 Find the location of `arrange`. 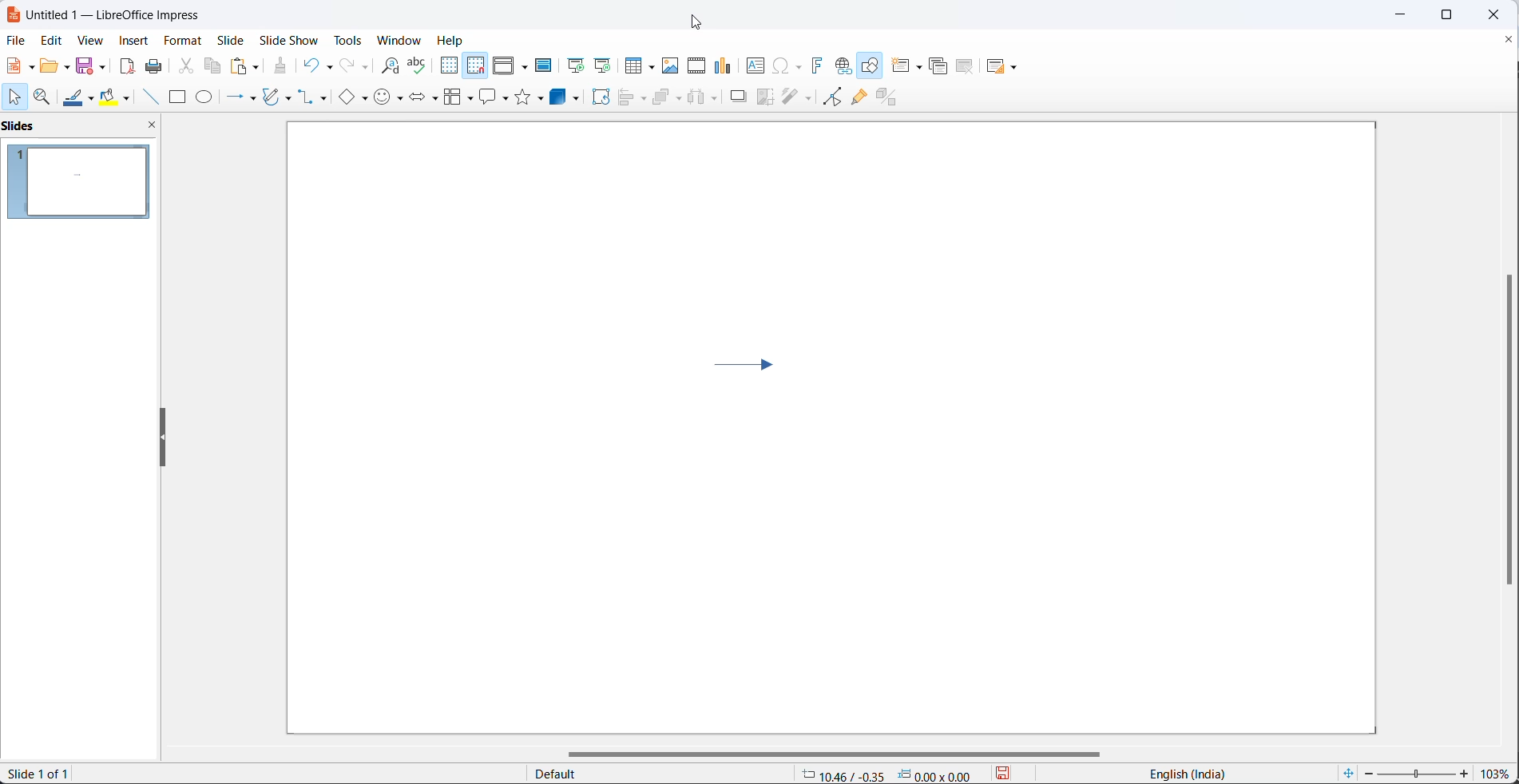

arrange is located at coordinates (668, 99).